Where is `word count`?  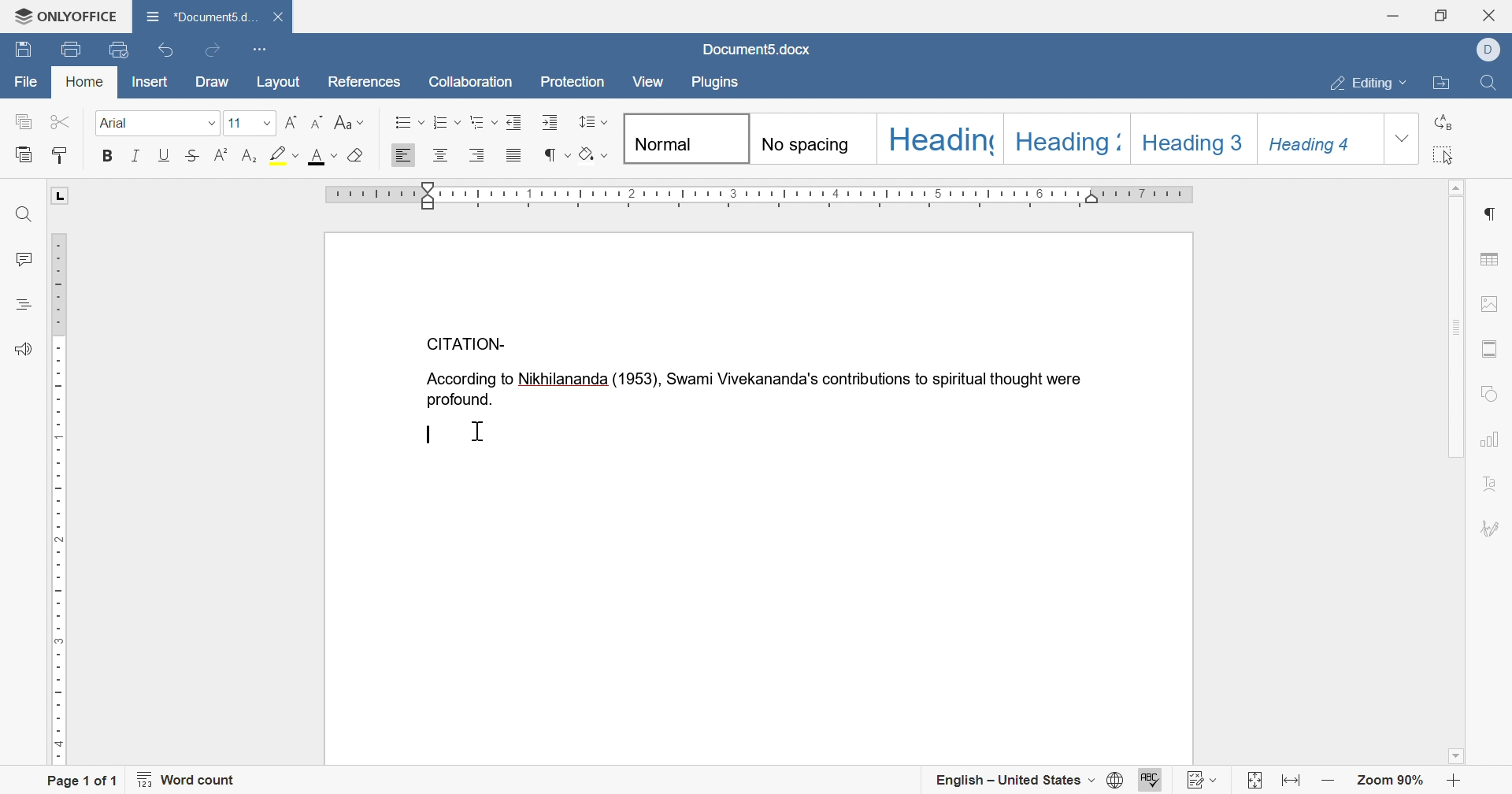
word count is located at coordinates (187, 781).